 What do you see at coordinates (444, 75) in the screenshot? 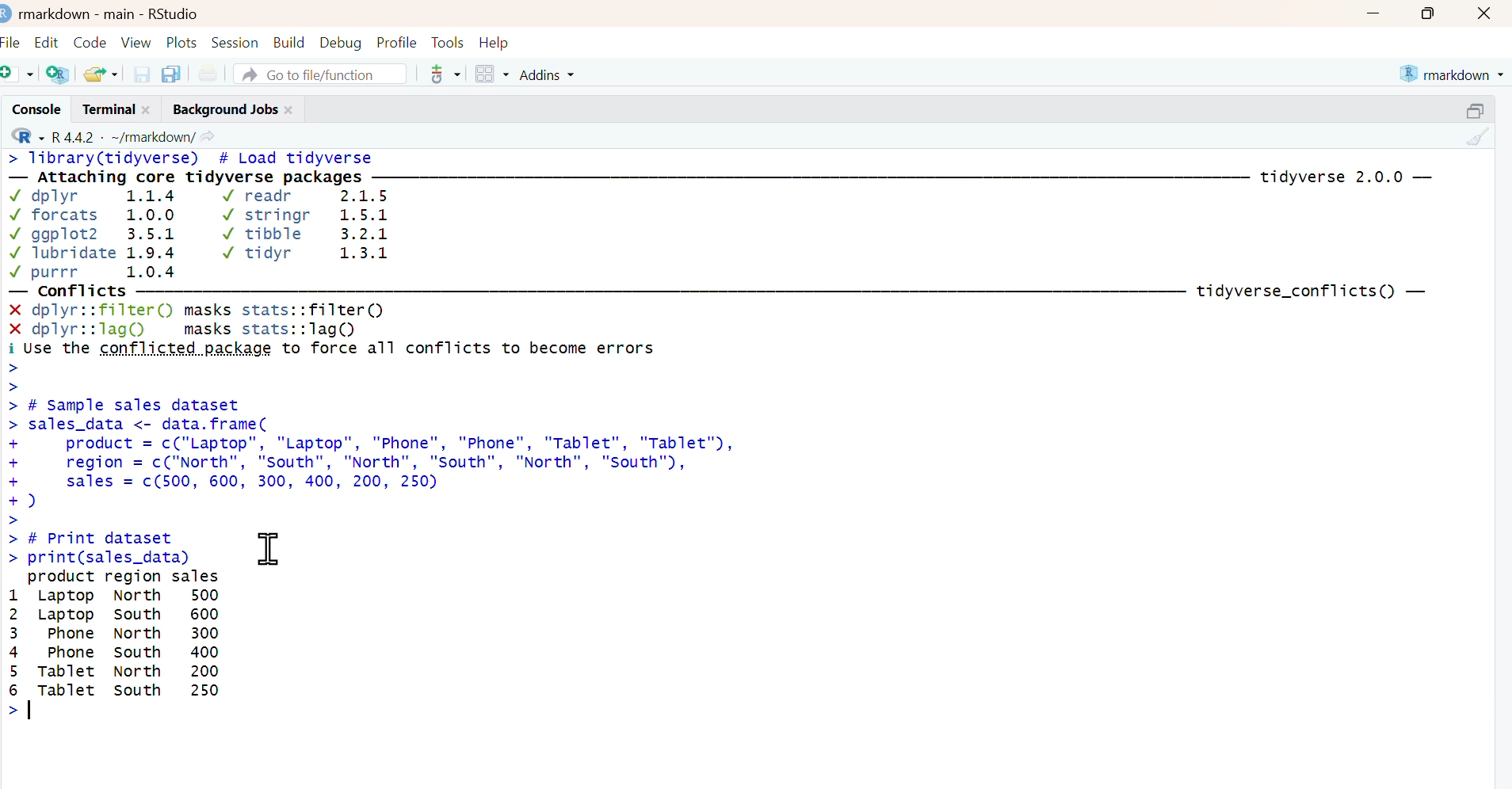
I see `Git` at bounding box center [444, 75].